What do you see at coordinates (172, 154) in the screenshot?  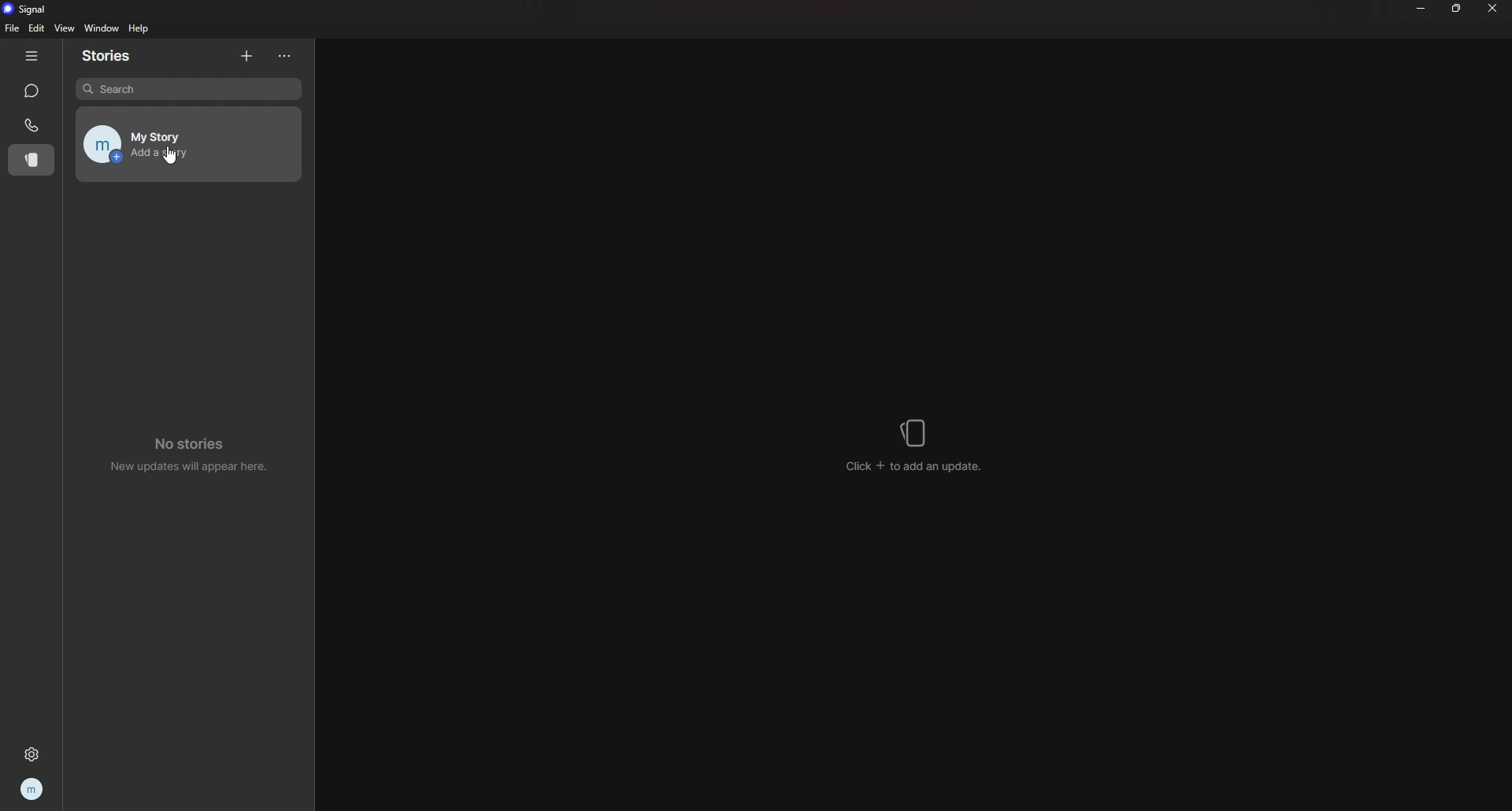 I see `cursor` at bounding box center [172, 154].